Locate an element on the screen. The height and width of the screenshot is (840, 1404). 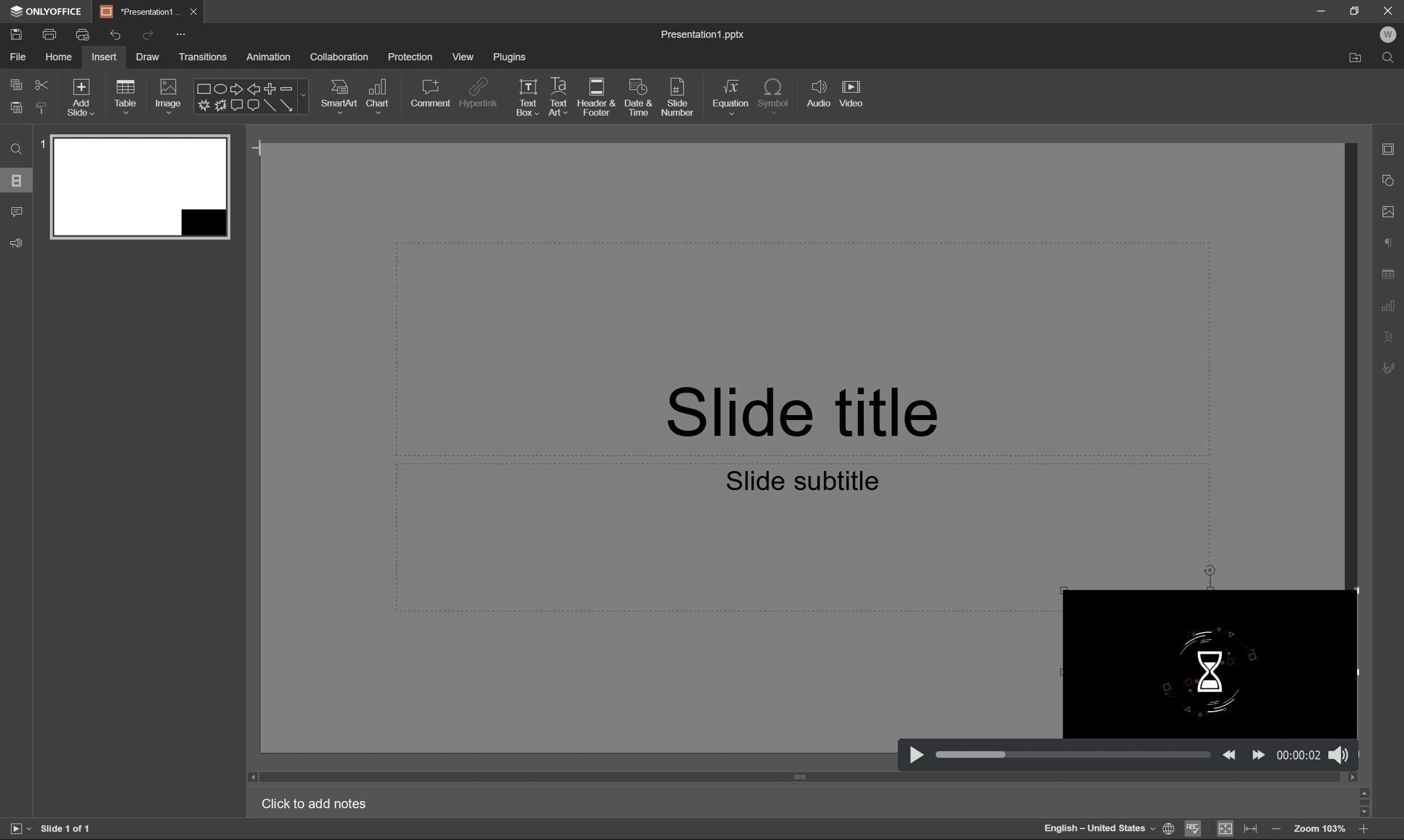
slide settings is located at coordinates (1391, 147).